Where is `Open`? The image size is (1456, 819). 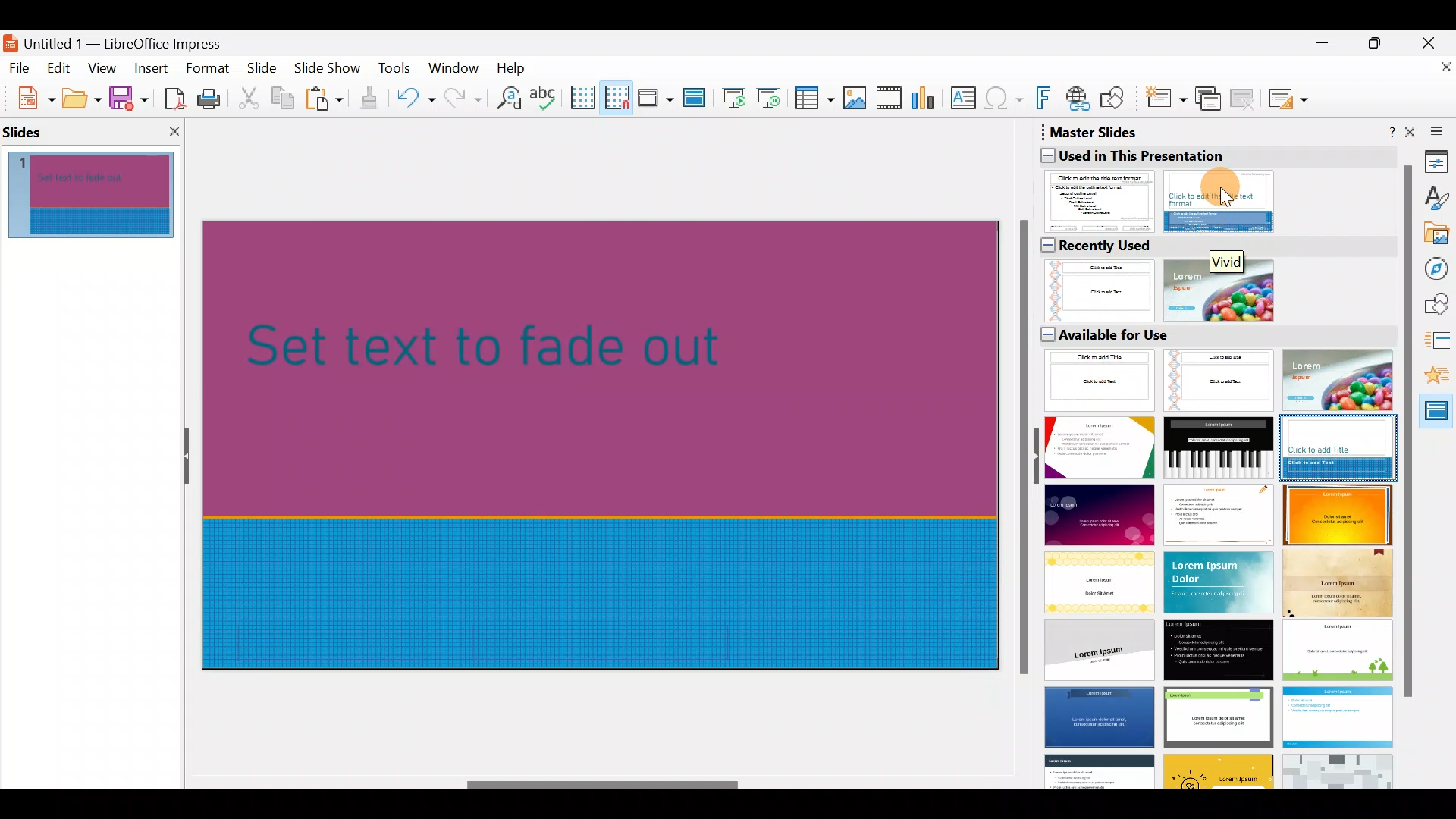 Open is located at coordinates (82, 99).